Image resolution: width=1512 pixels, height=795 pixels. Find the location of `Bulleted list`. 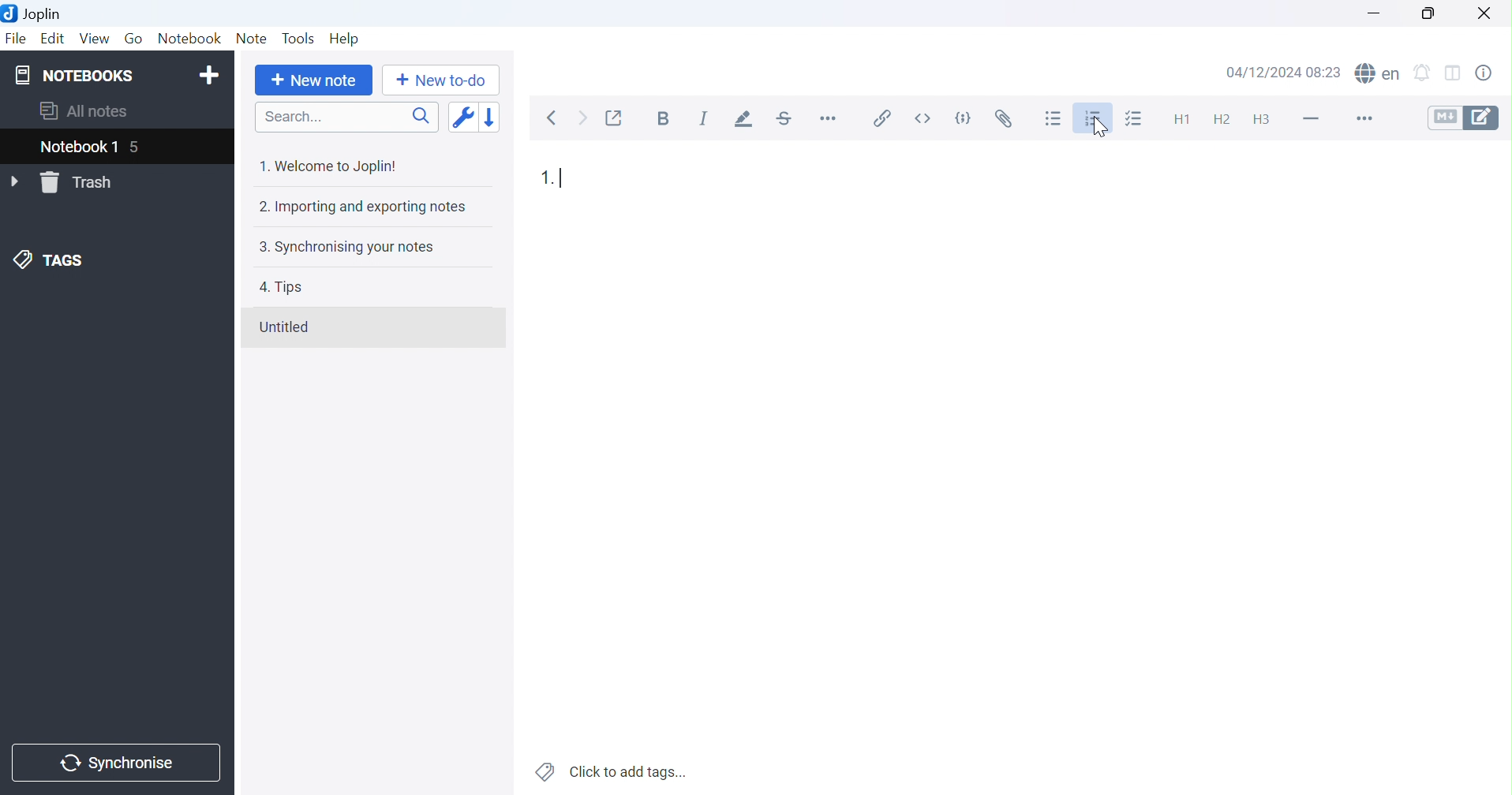

Bulleted list is located at coordinates (1054, 118).